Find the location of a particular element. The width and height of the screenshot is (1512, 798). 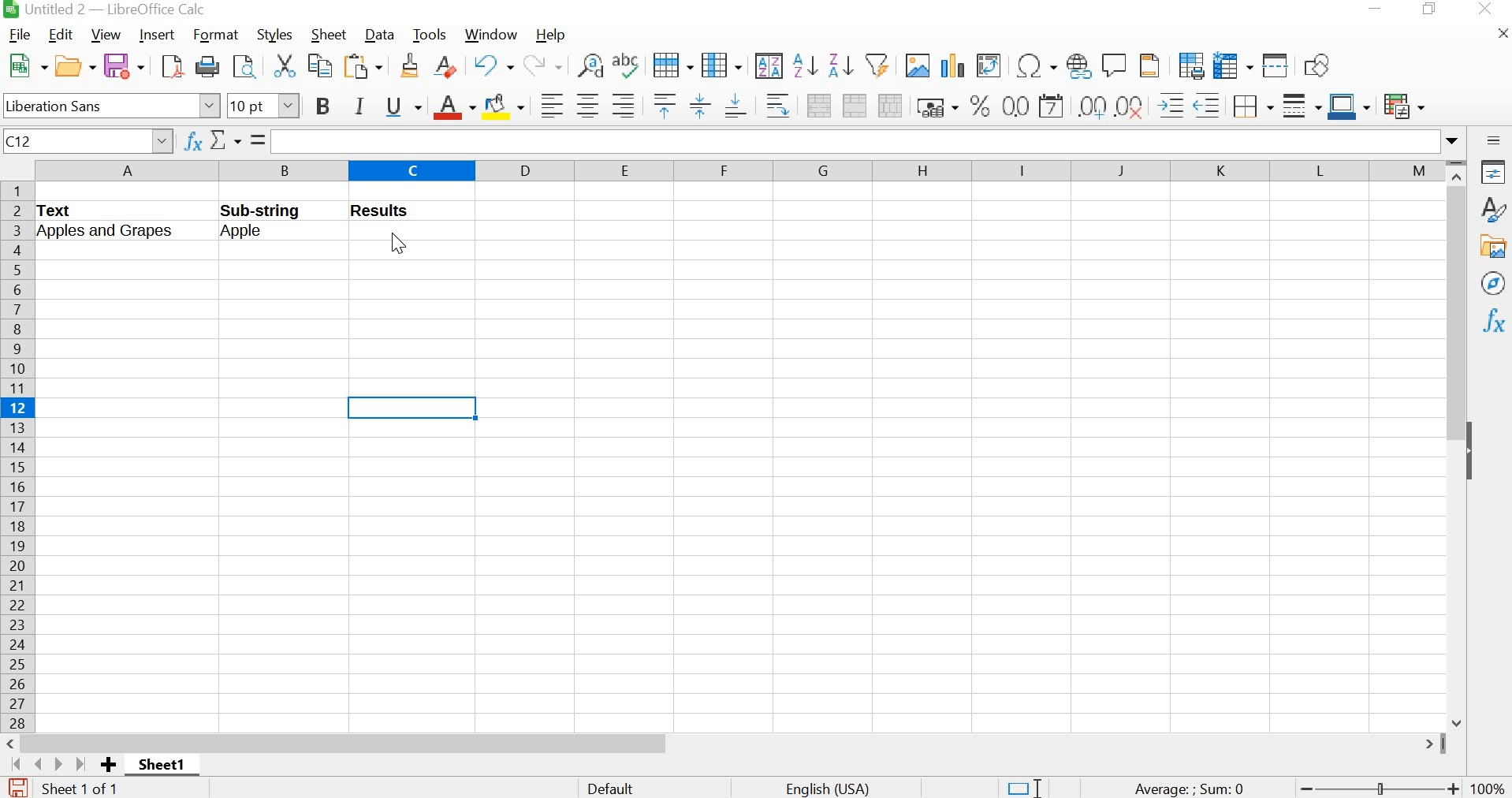

gallery is located at coordinates (1492, 247).